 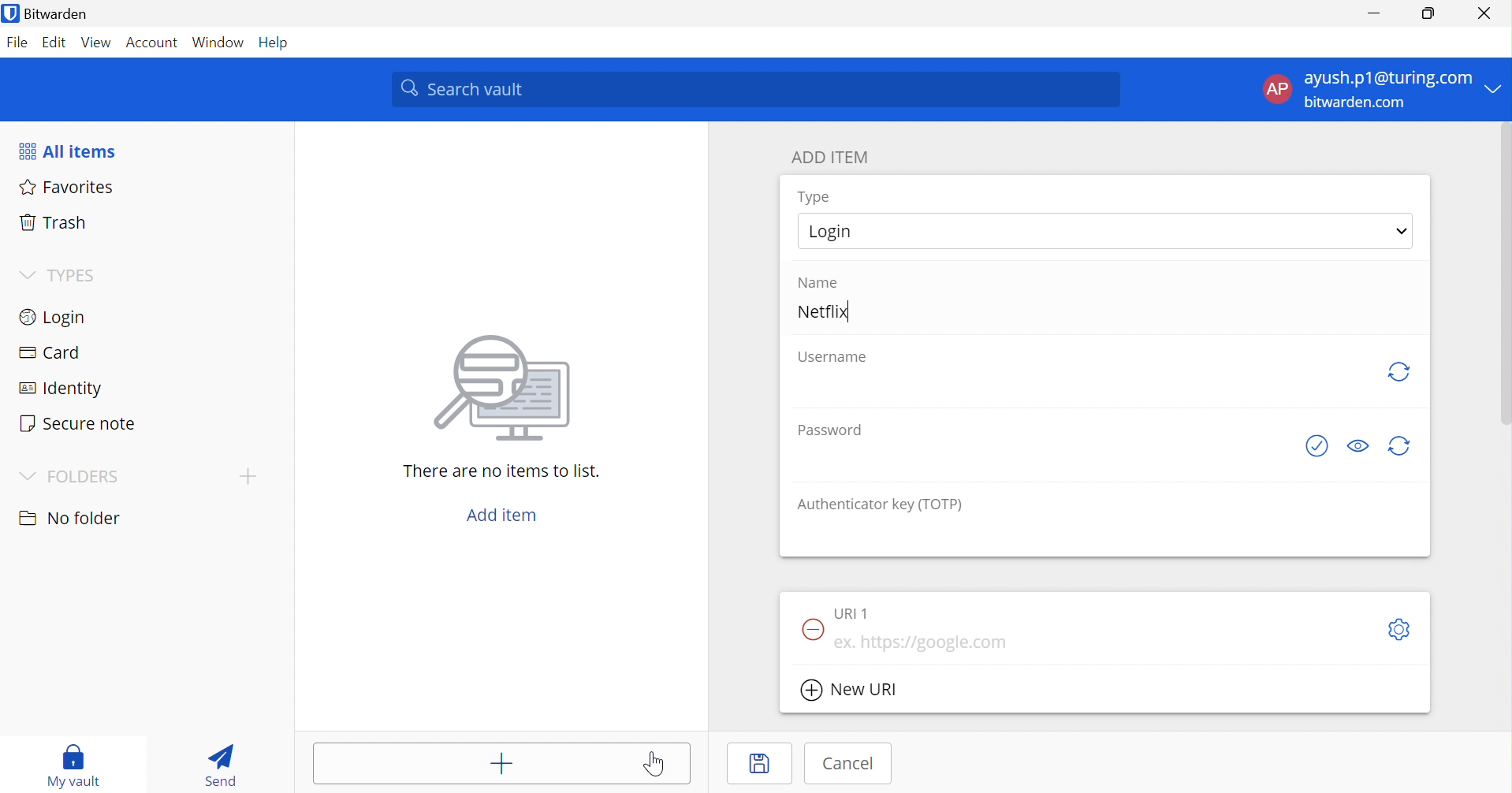 What do you see at coordinates (754, 88) in the screenshot?
I see `Search vault` at bounding box center [754, 88].